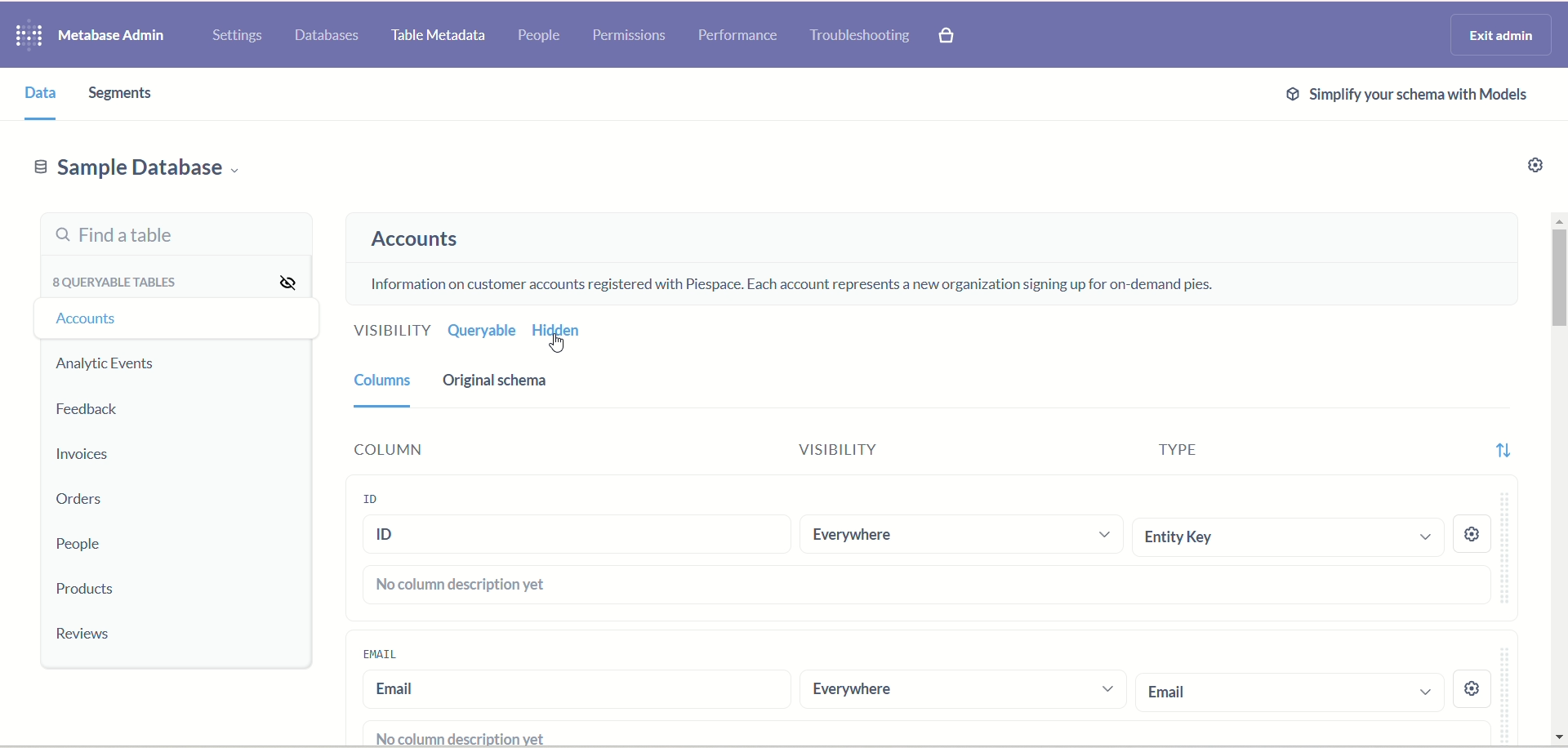 The image size is (1568, 748). What do you see at coordinates (1486, 690) in the screenshot?
I see `EMAIL setting` at bounding box center [1486, 690].